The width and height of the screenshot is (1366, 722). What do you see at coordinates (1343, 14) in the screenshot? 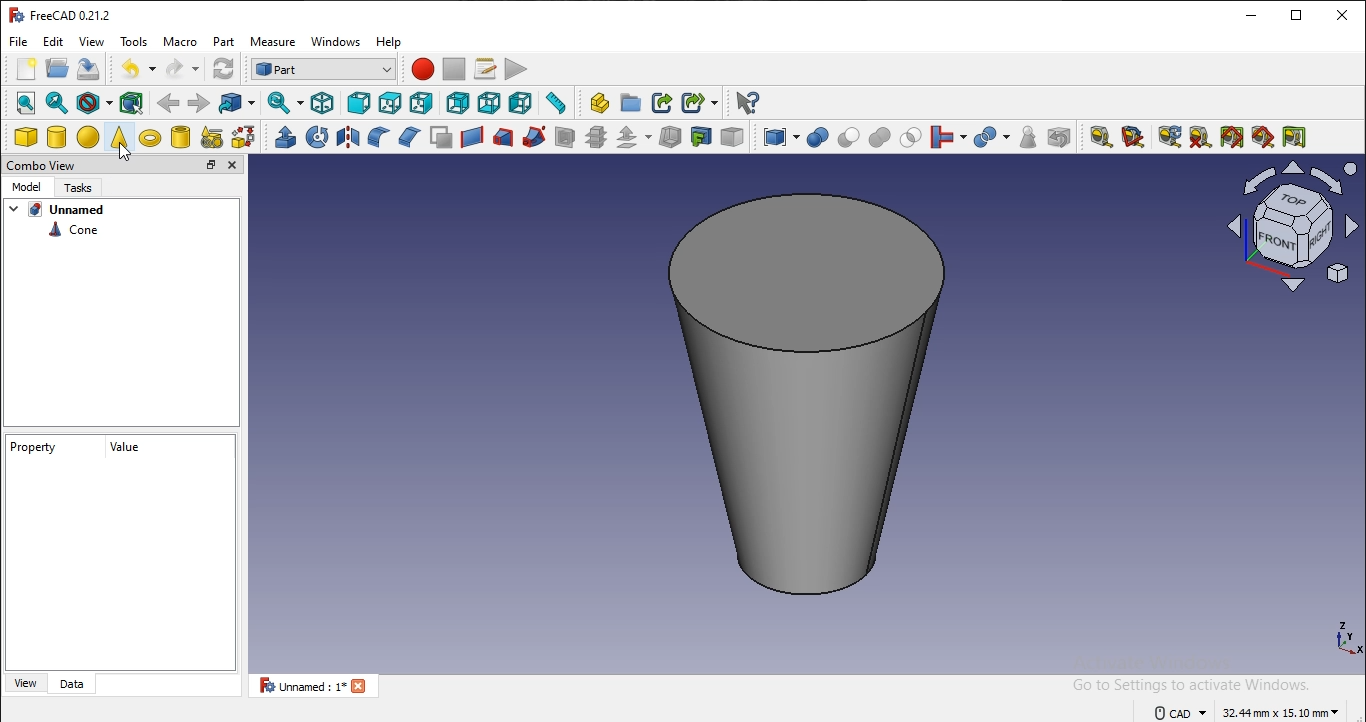
I see `close` at bounding box center [1343, 14].